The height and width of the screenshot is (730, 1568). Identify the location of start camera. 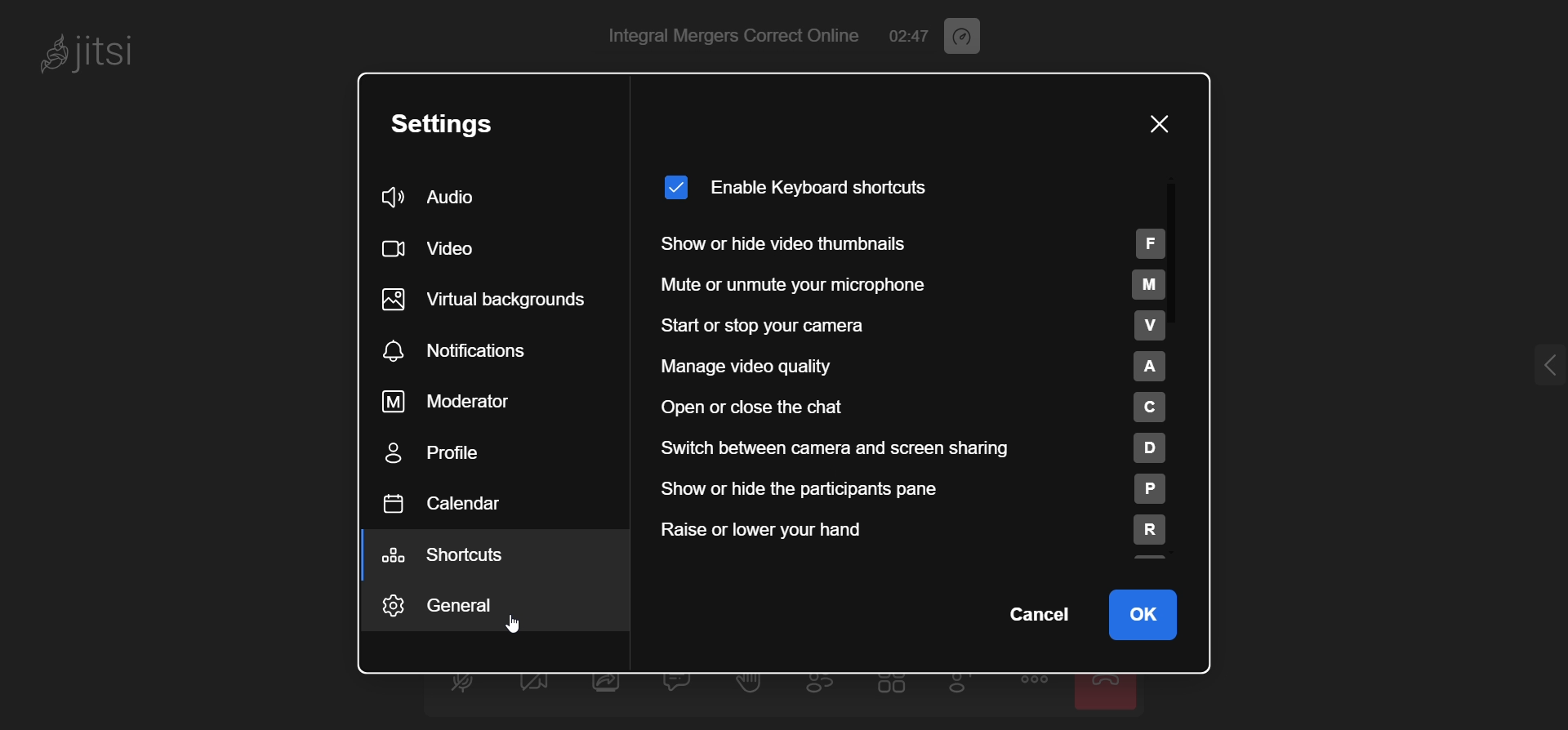
(533, 682).